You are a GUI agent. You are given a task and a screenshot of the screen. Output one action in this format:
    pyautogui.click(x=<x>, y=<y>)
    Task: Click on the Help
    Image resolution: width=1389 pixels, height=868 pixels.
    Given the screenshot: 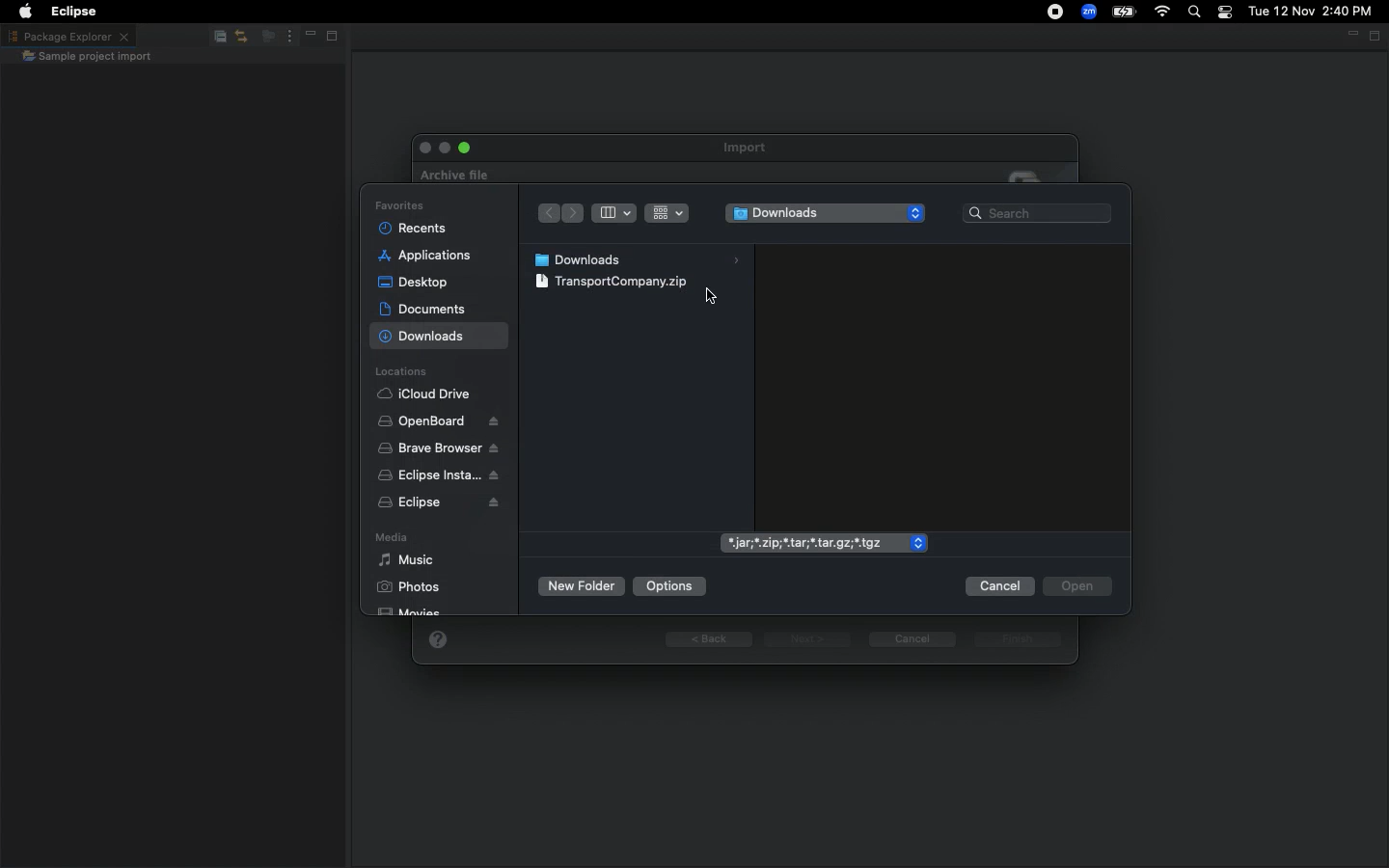 What is the action you would take?
    pyautogui.click(x=437, y=637)
    